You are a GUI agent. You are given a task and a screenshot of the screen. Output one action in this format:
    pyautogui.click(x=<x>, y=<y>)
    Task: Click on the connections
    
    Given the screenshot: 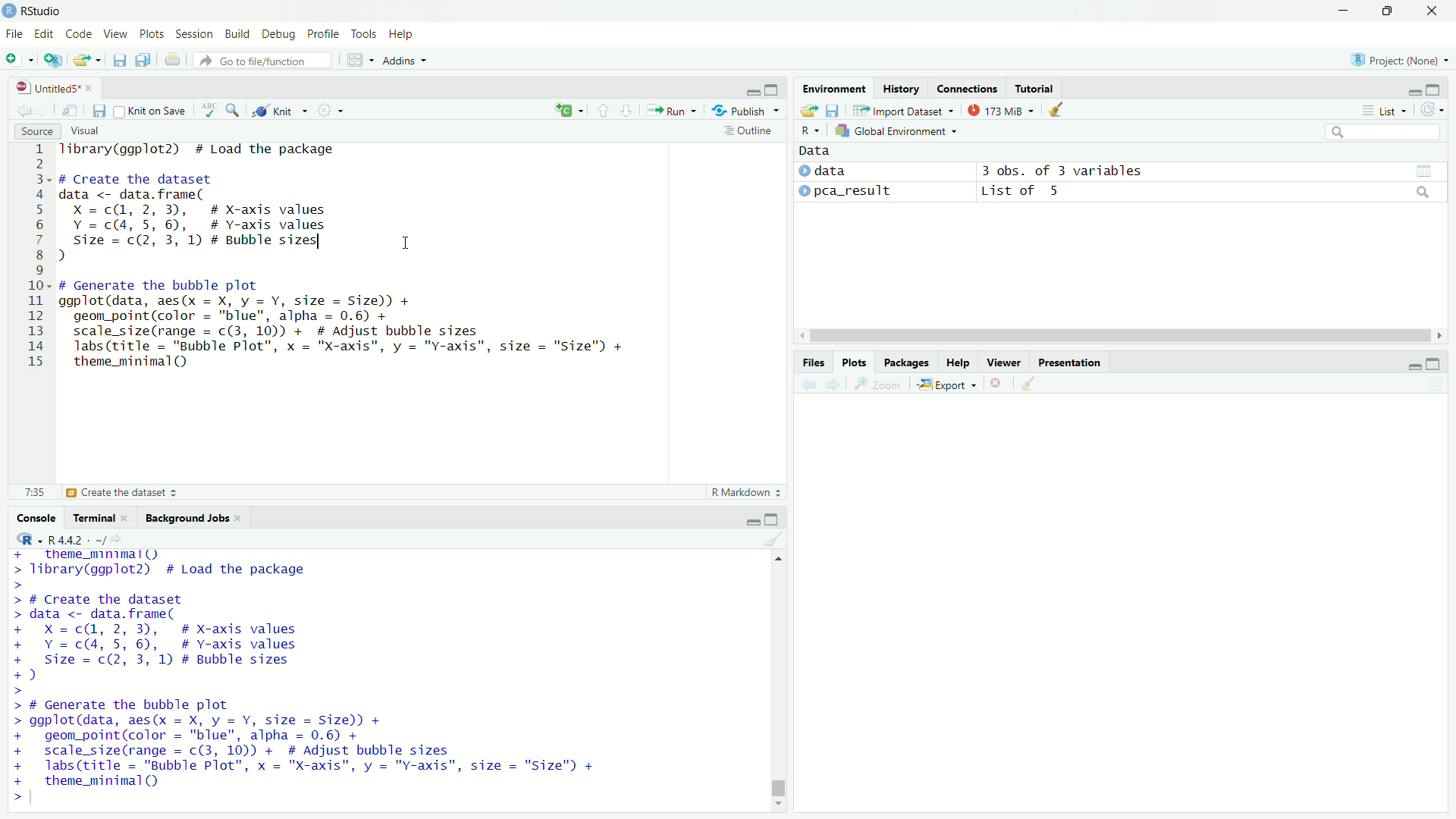 What is the action you would take?
    pyautogui.click(x=967, y=88)
    